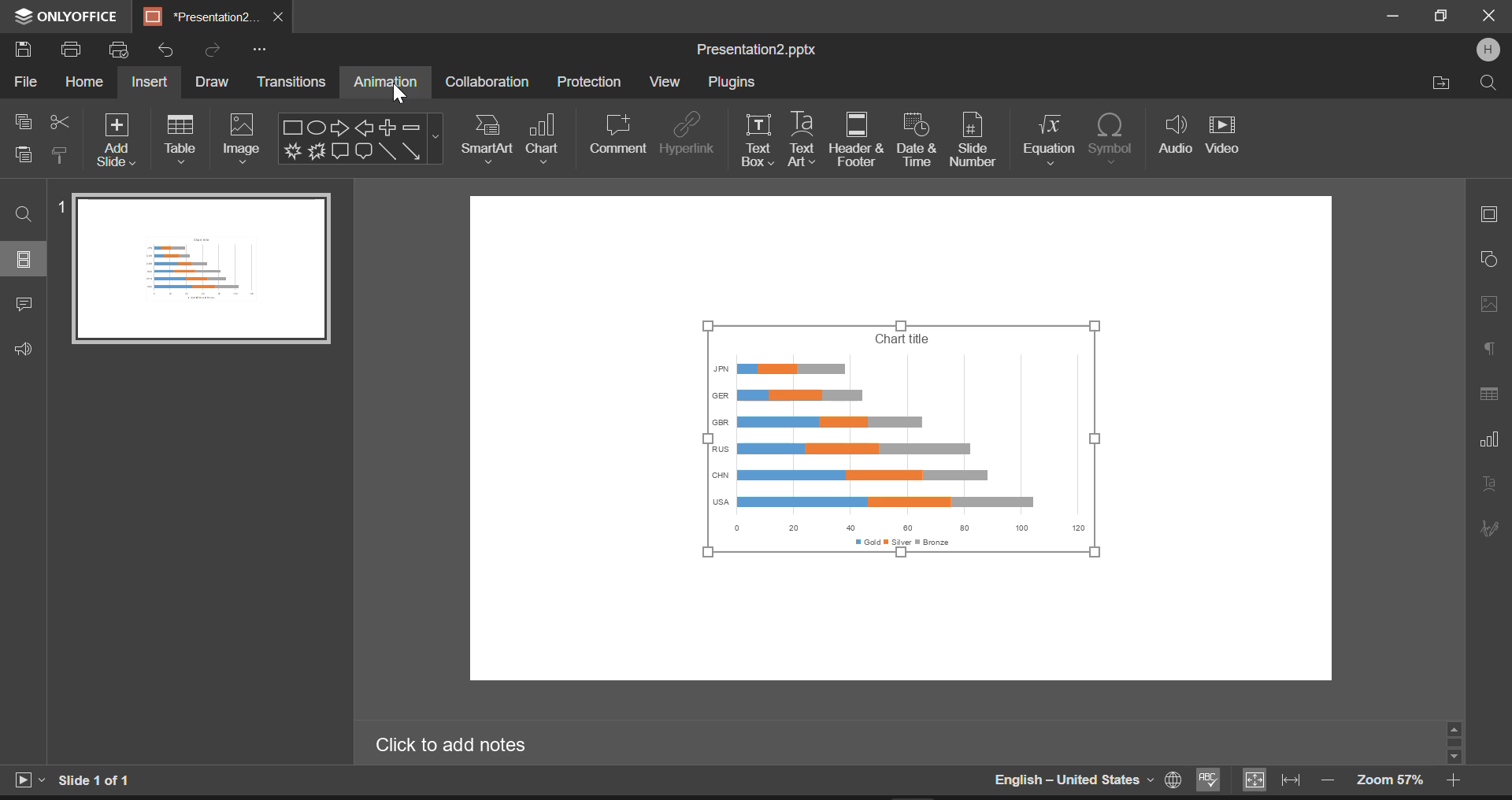 This screenshot has width=1512, height=800. What do you see at coordinates (731, 83) in the screenshot?
I see `Plugins` at bounding box center [731, 83].